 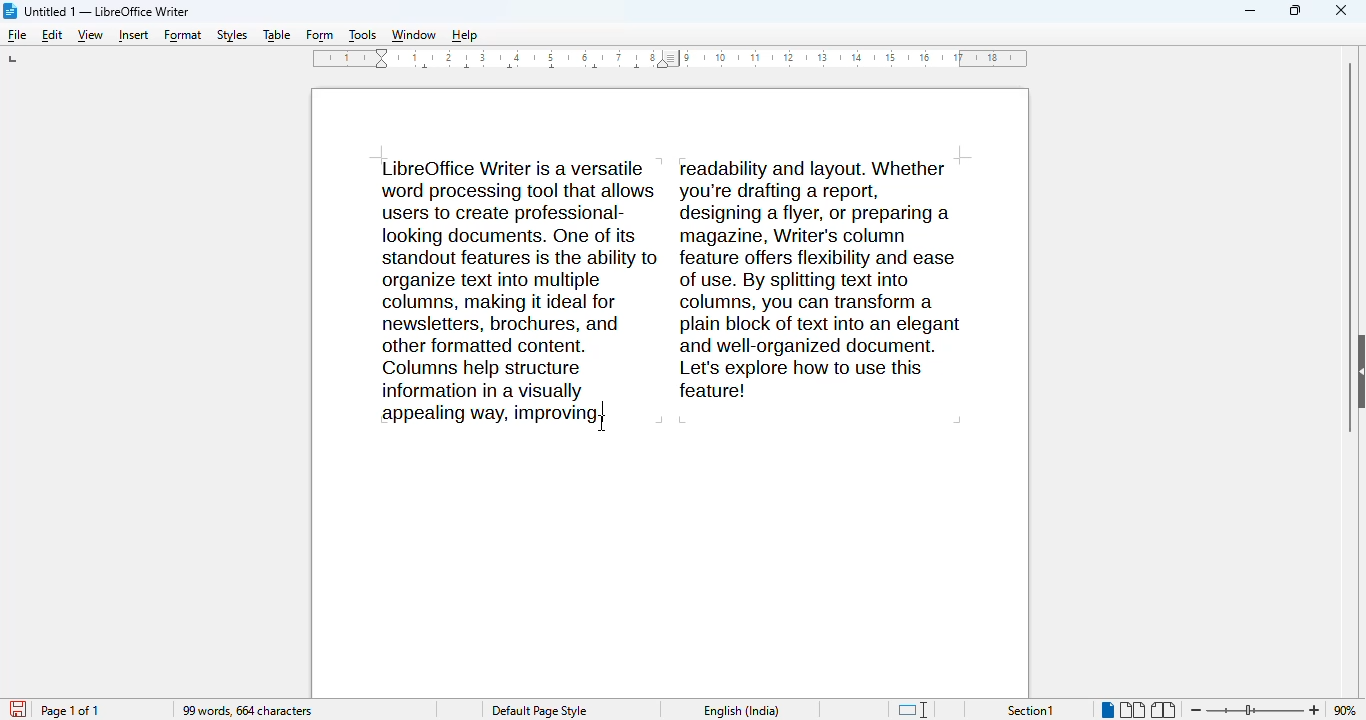 I want to click on center tab, so click(x=642, y=71).